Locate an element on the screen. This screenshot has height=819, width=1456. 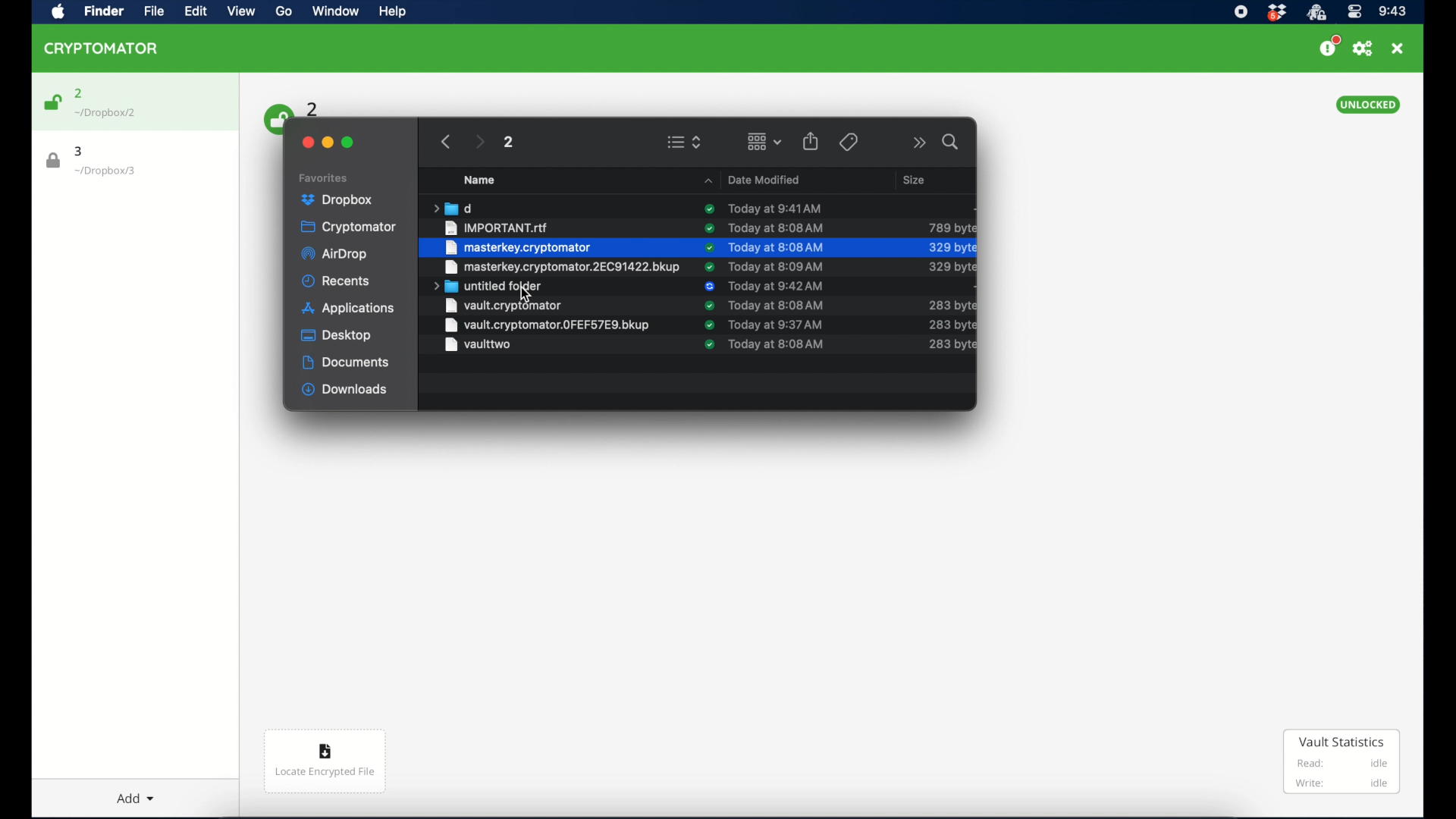
desktop is located at coordinates (337, 335).